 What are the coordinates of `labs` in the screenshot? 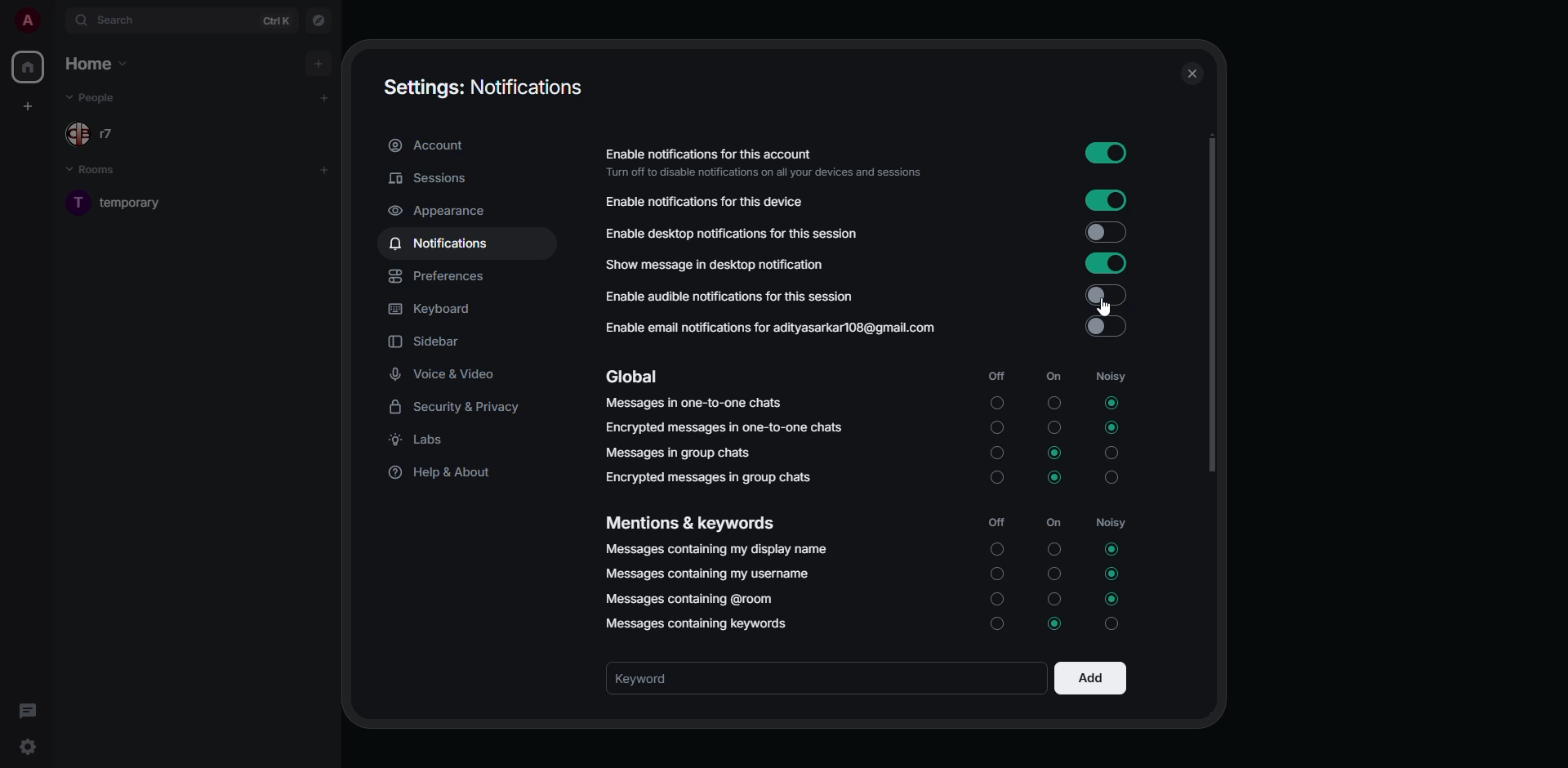 It's located at (421, 444).